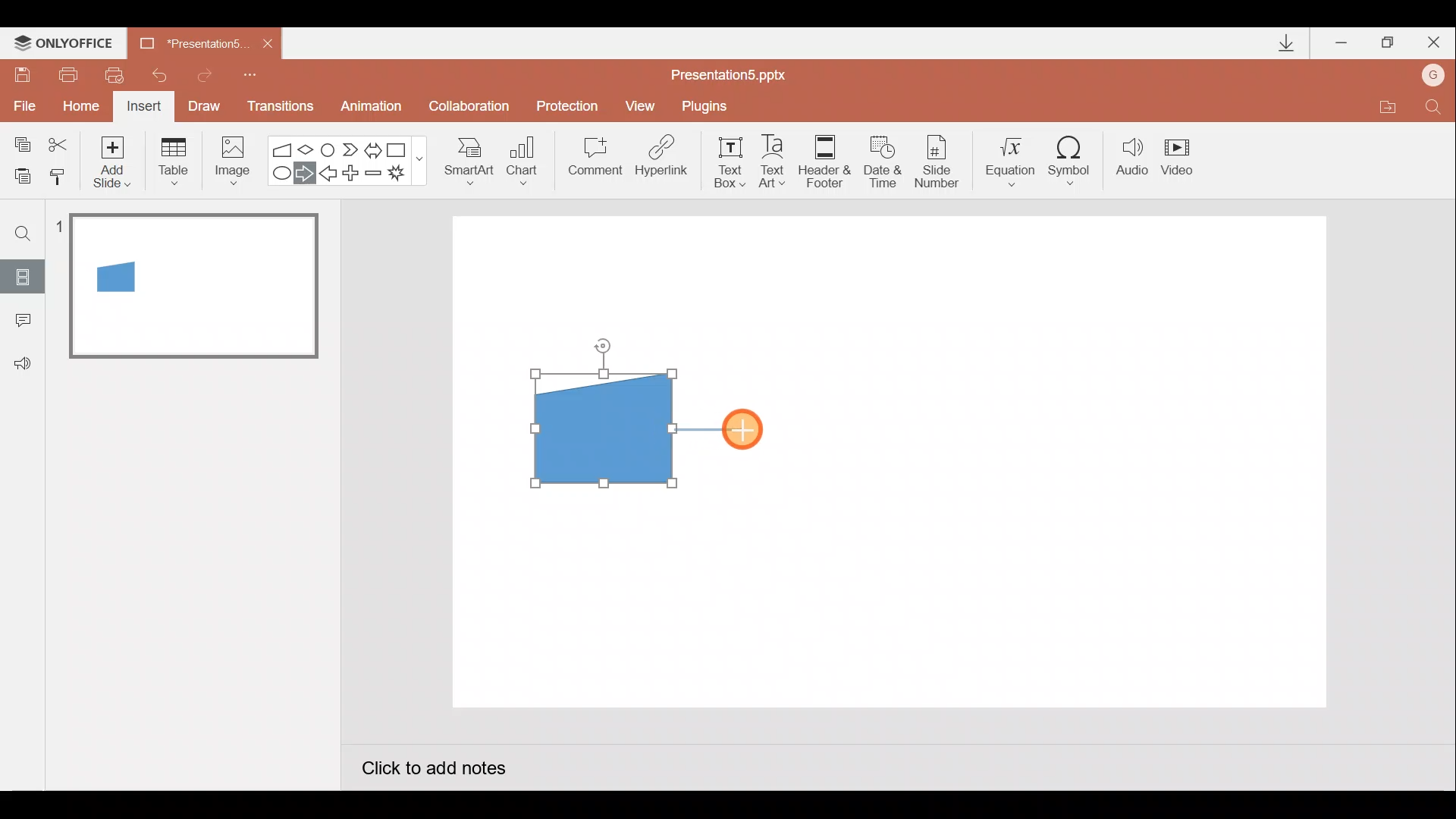 The width and height of the screenshot is (1456, 819). I want to click on Open file location, so click(1387, 109).